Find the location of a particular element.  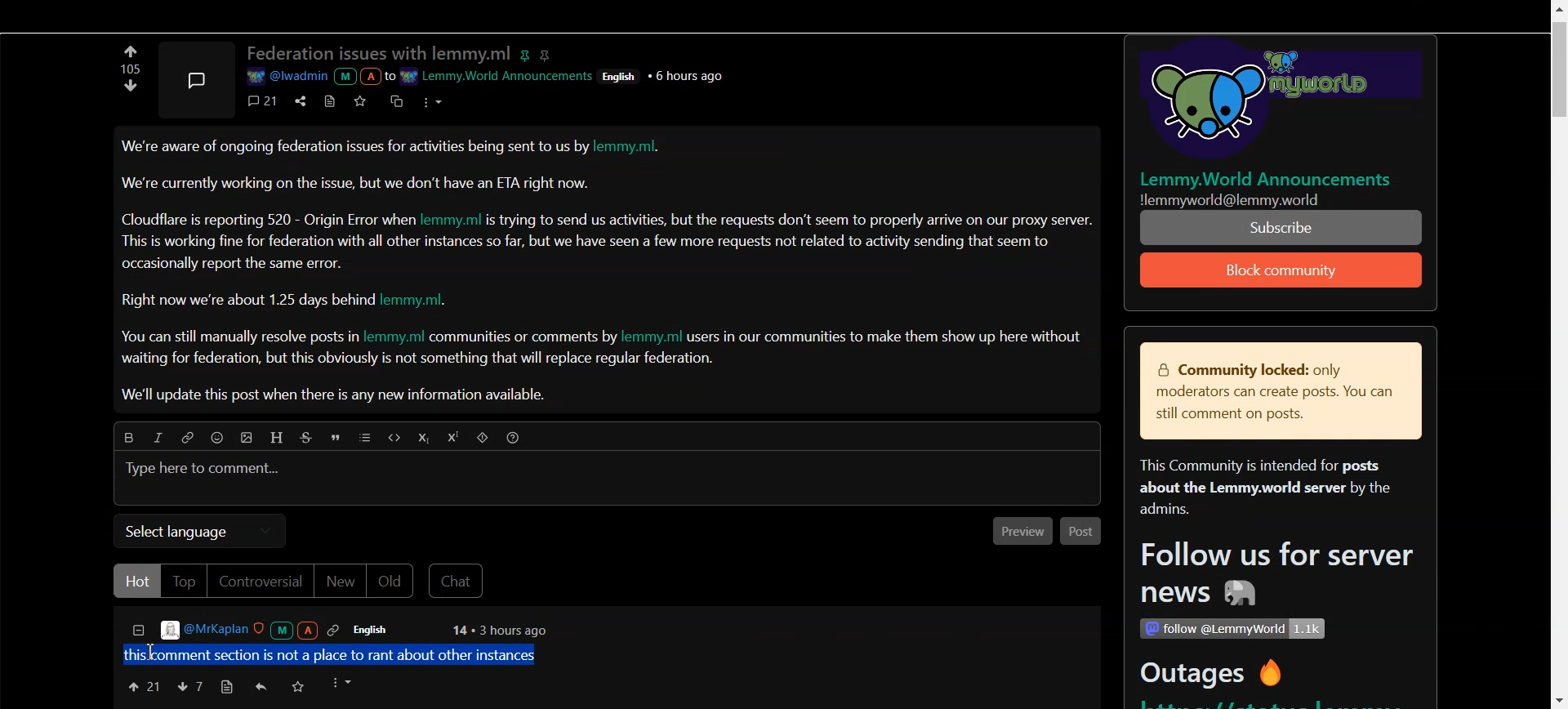

Italic is located at coordinates (157, 437).